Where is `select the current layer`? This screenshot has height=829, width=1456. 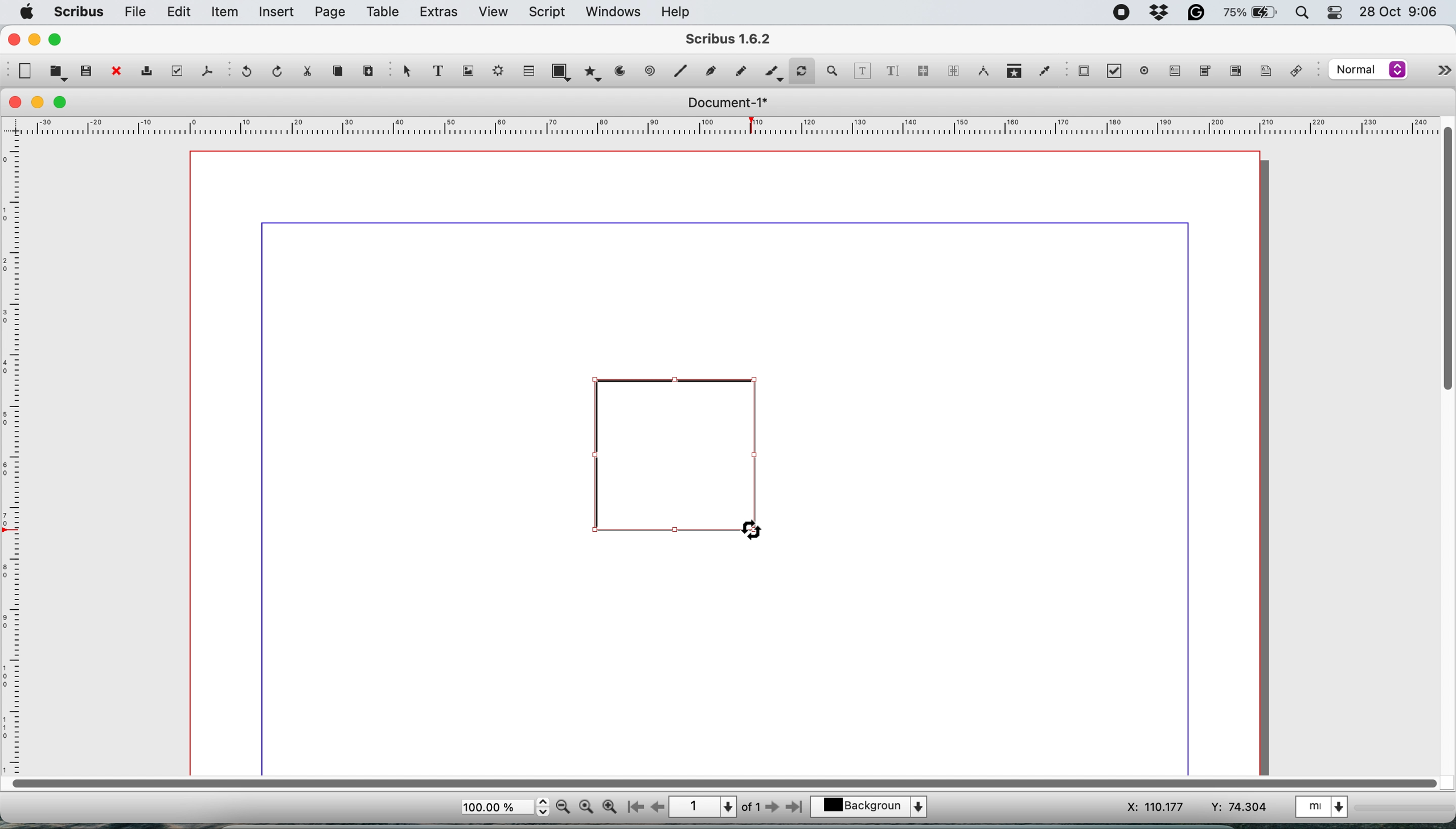
select the current layer is located at coordinates (871, 805).